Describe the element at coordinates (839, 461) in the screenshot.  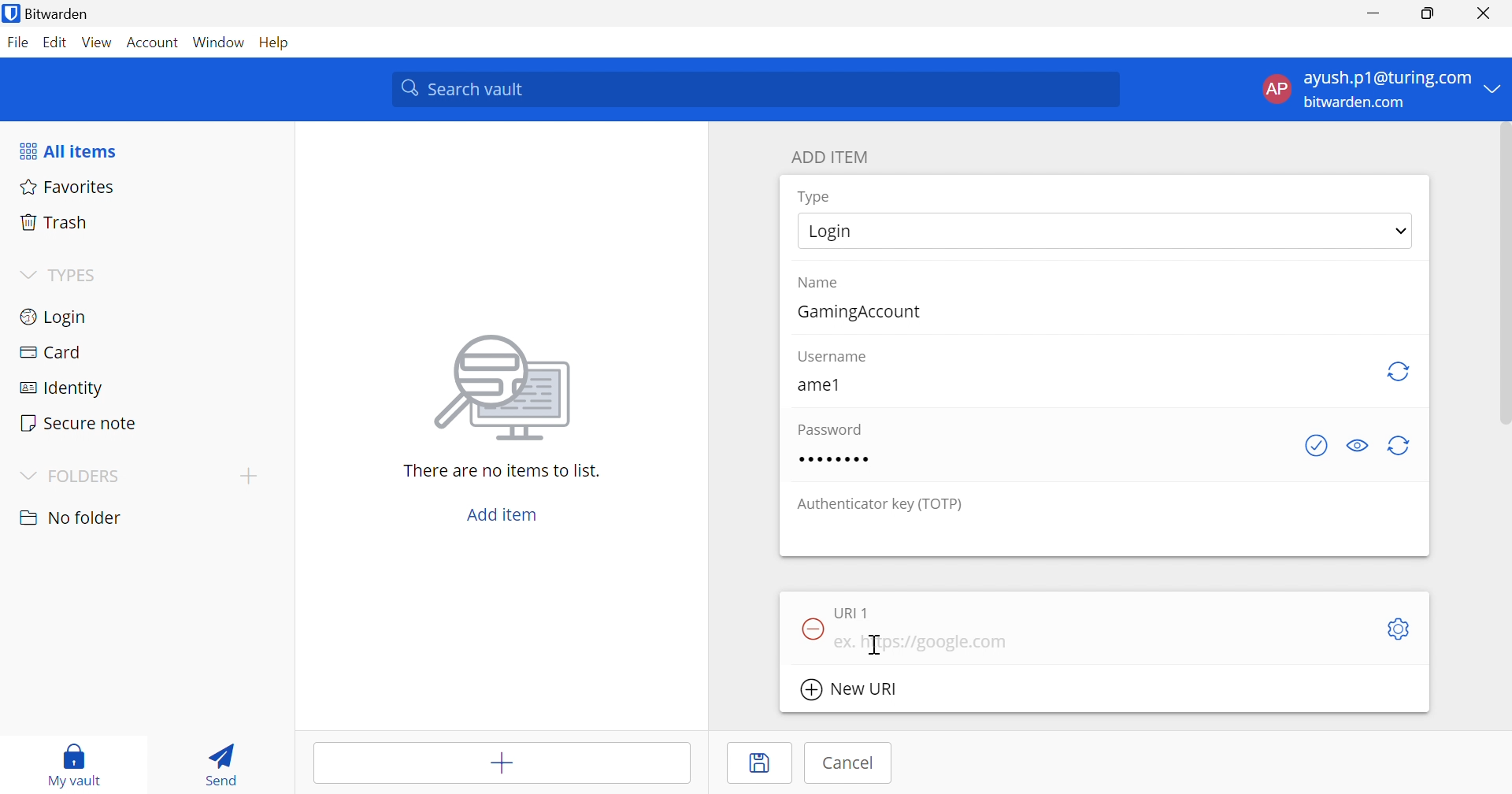
I see `Password` at that location.